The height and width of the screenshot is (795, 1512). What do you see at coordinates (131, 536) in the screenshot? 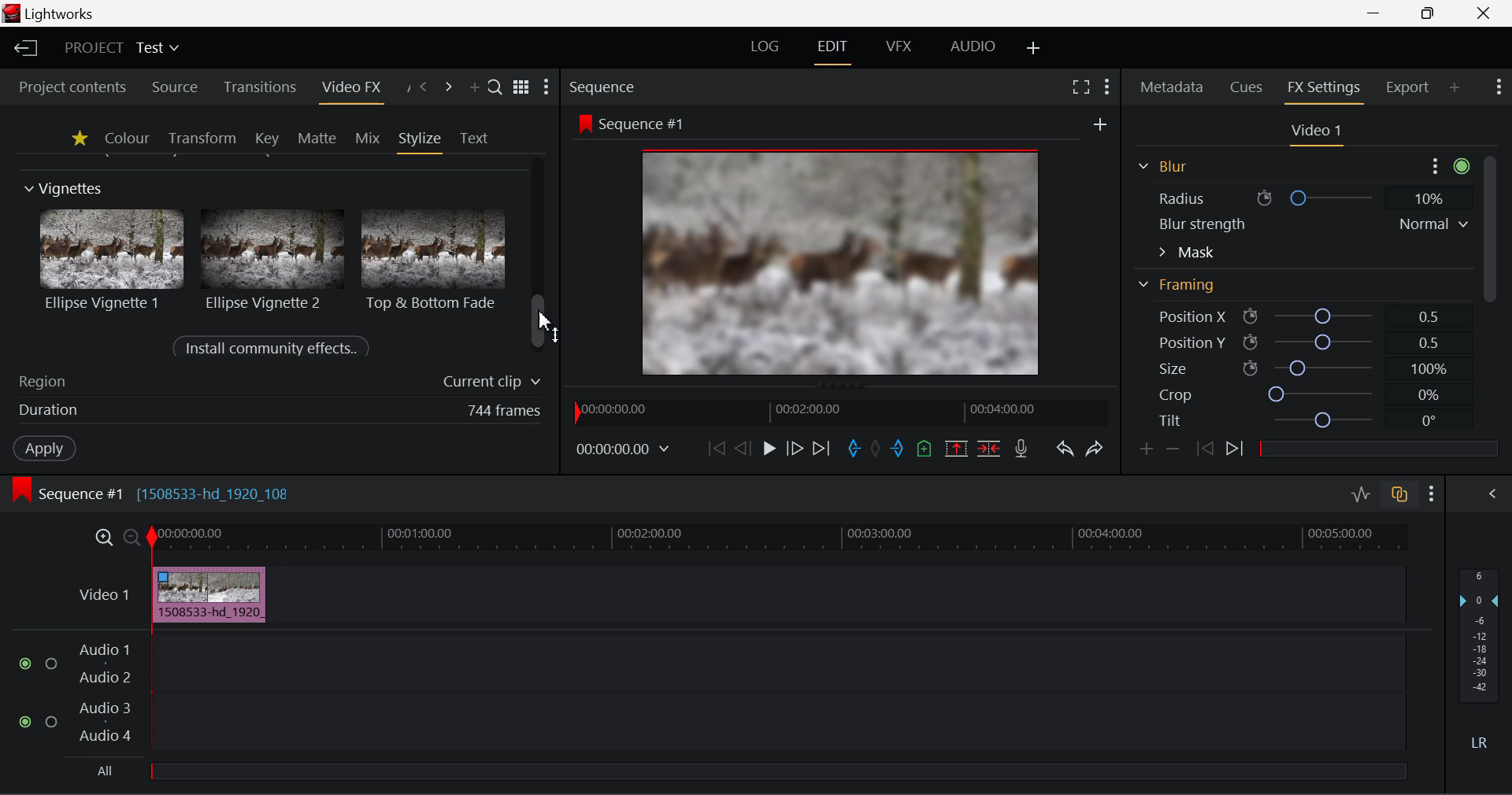
I see `Timeline Zoom Out` at bounding box center [131, 536].